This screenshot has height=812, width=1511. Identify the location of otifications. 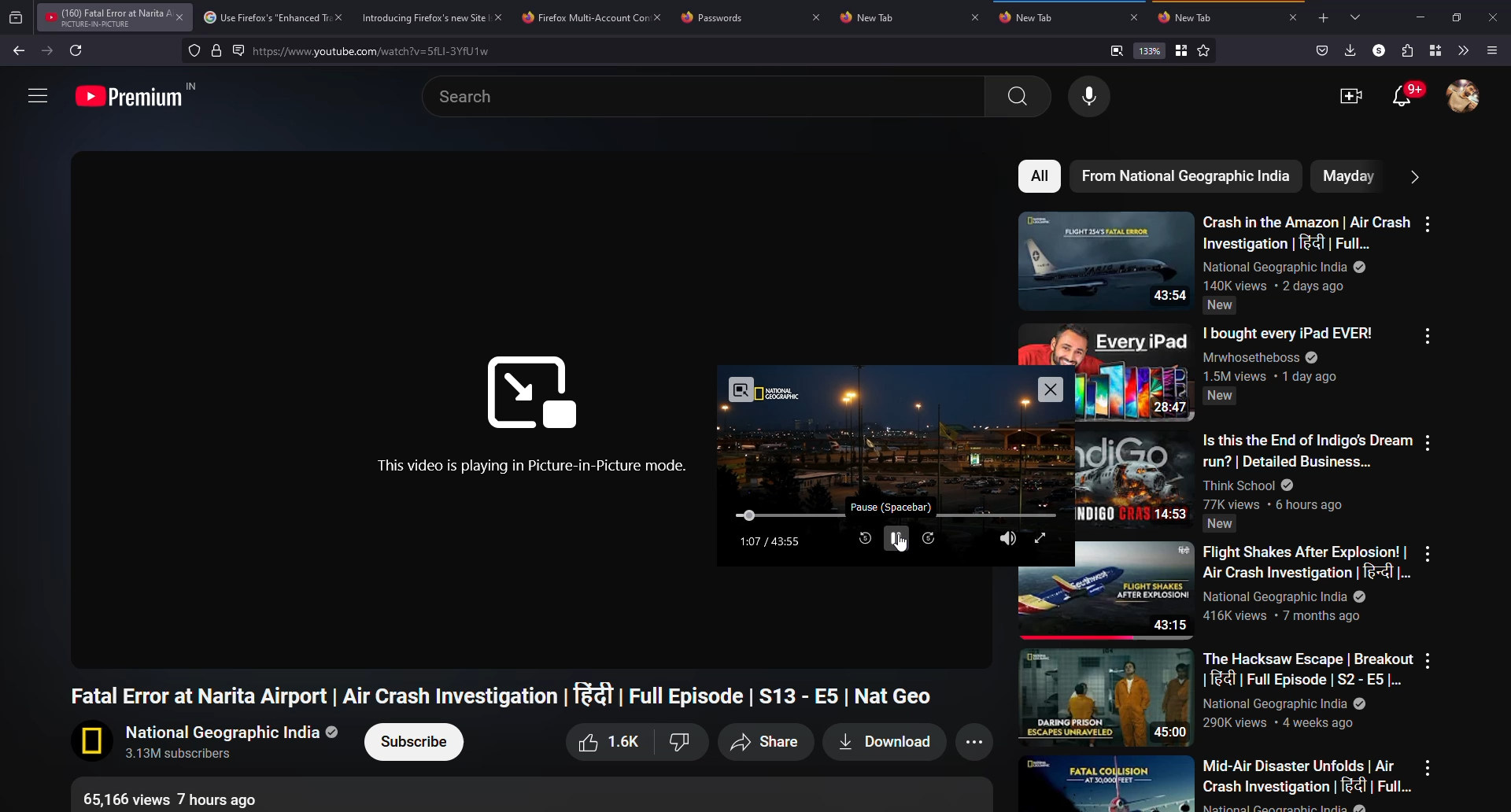
(1408, 96).